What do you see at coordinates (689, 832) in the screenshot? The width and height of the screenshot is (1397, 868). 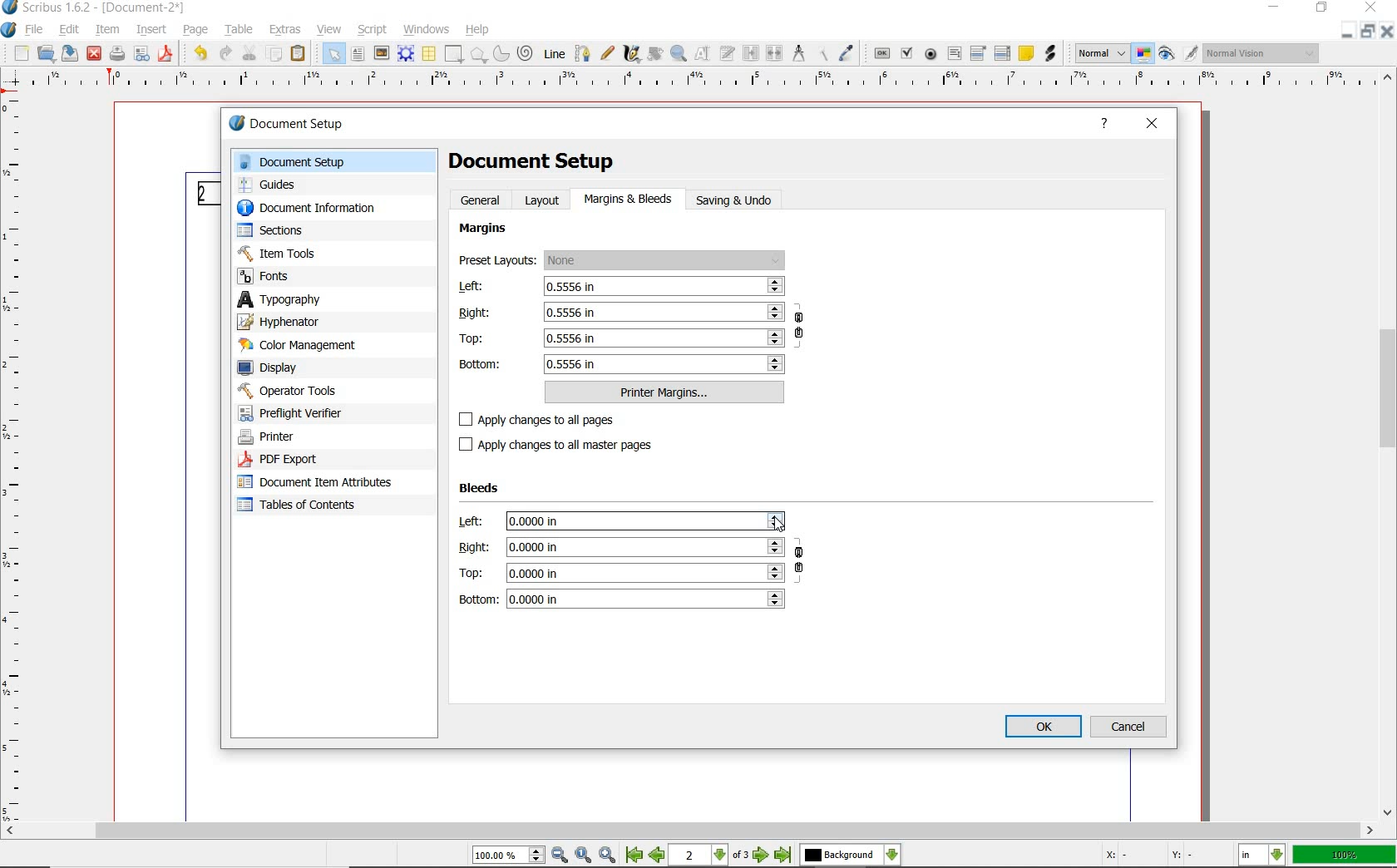 I see `scroll bar` at bounding box center [689, 832].